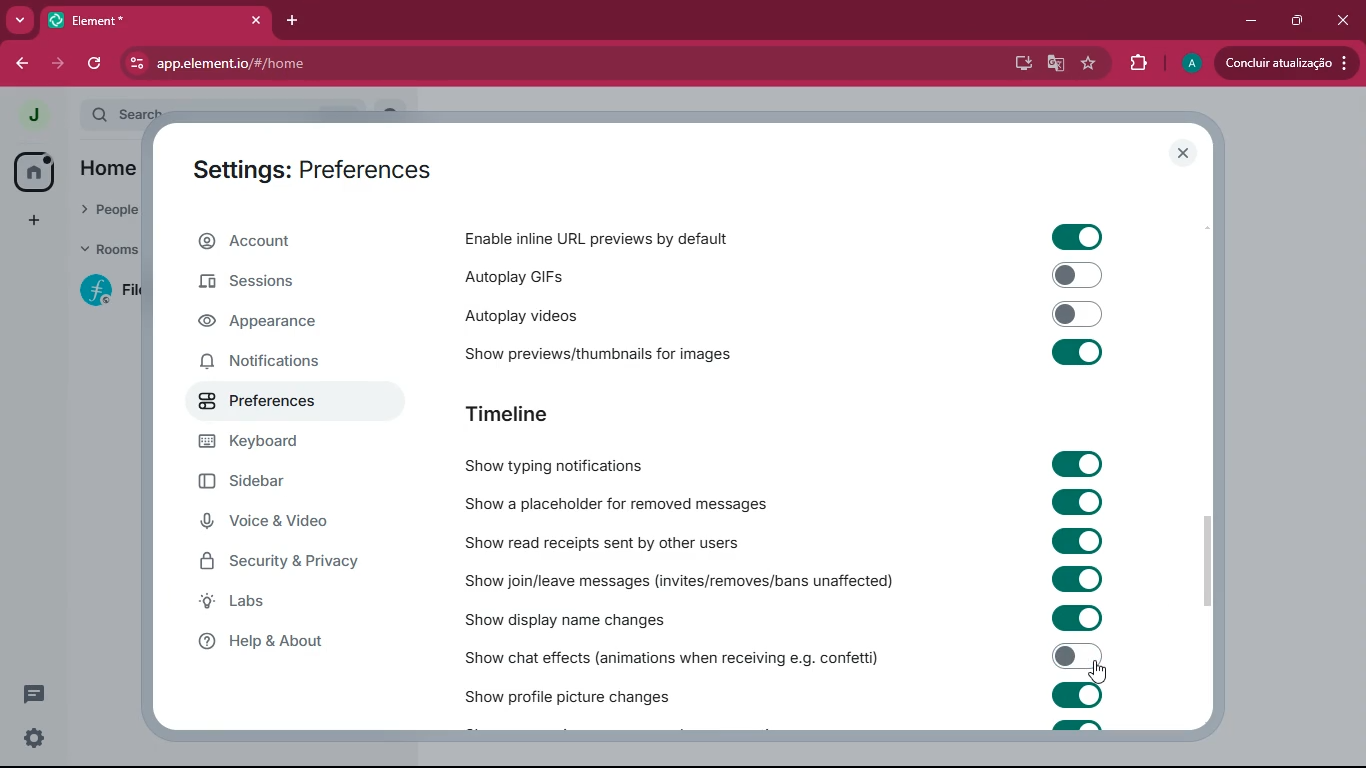  I want to click on home, so click(108, 170).